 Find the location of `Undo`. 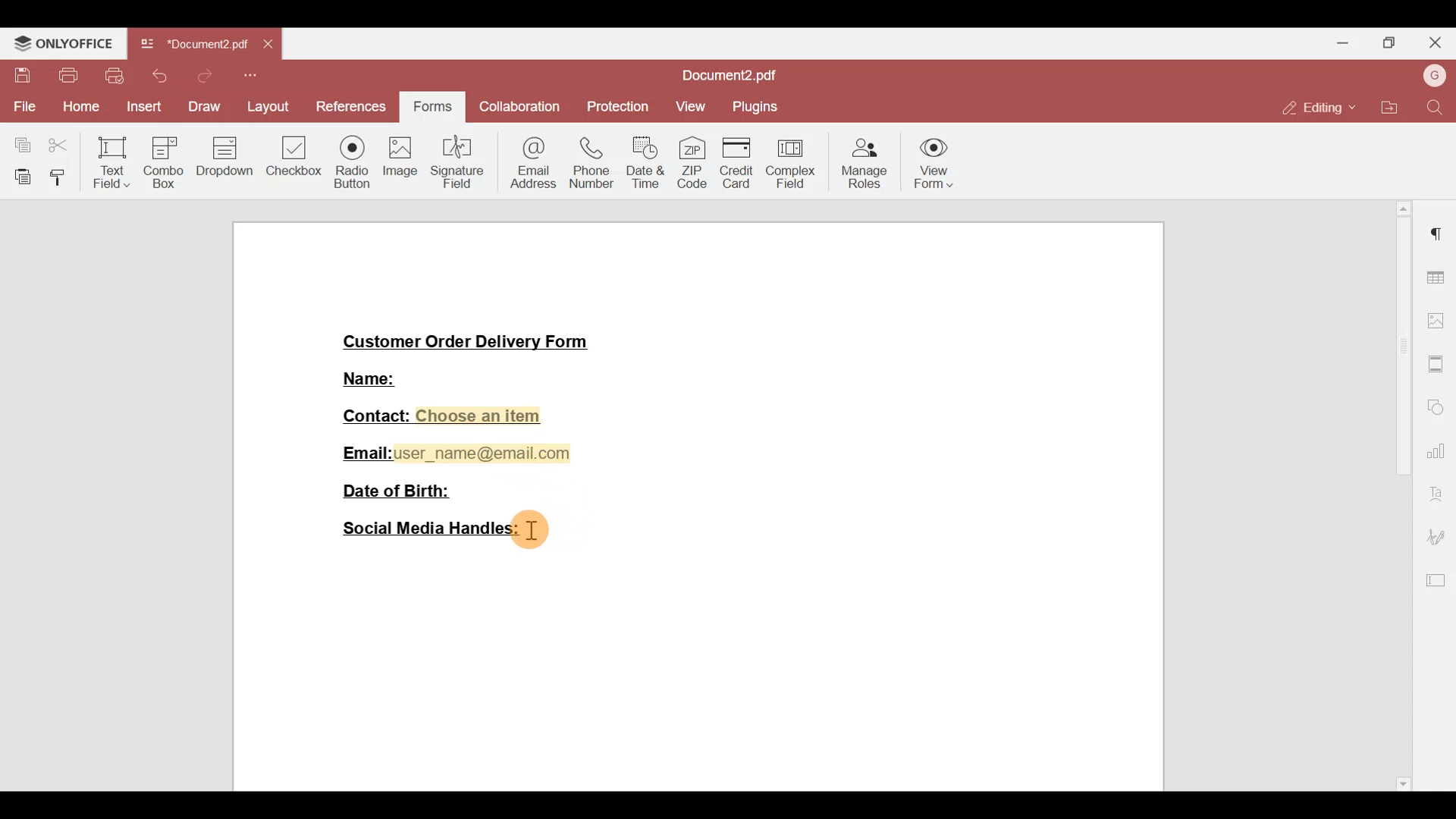

Undo is located at coordinates (162, 76).